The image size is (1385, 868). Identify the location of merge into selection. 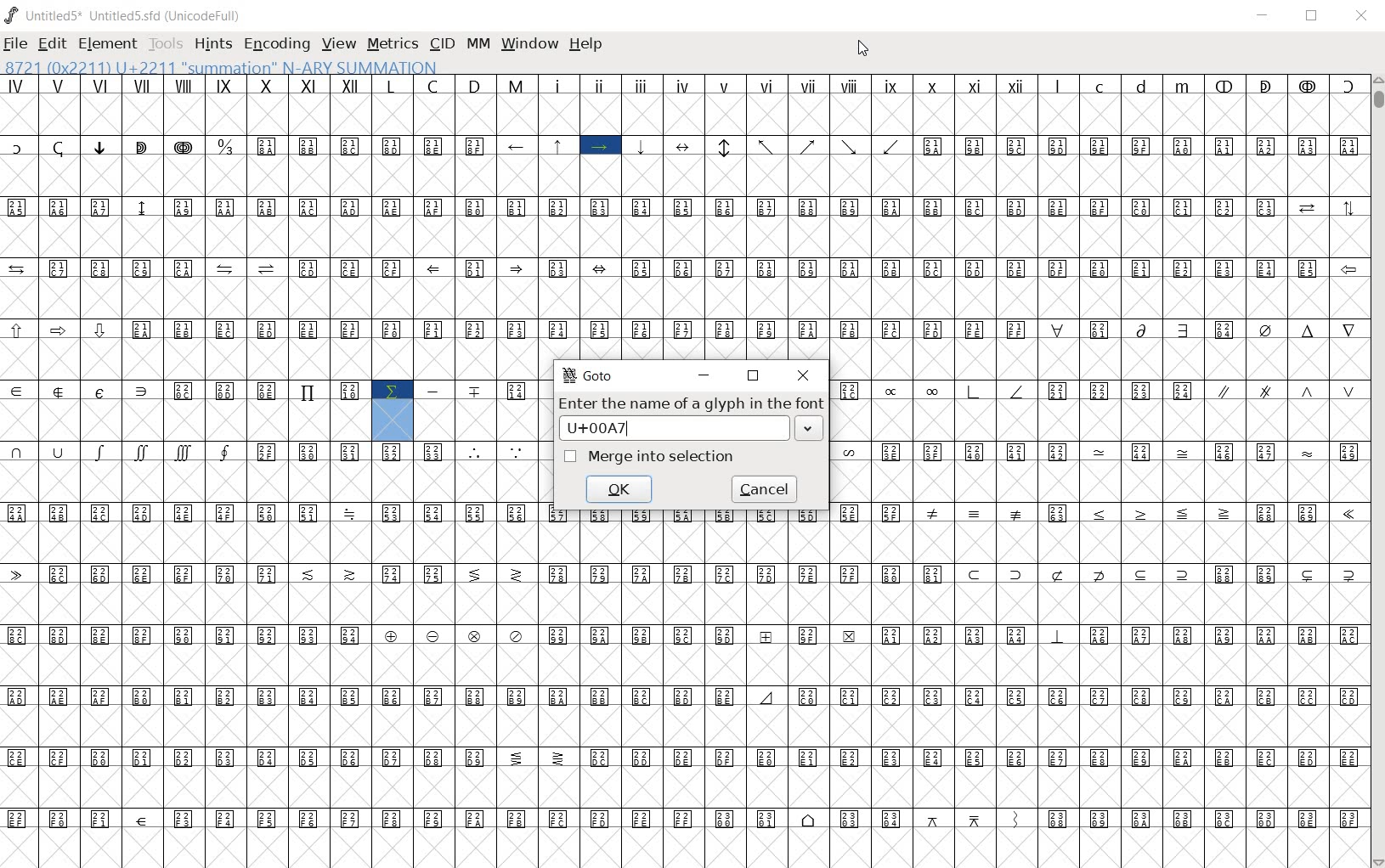
(653, 457).